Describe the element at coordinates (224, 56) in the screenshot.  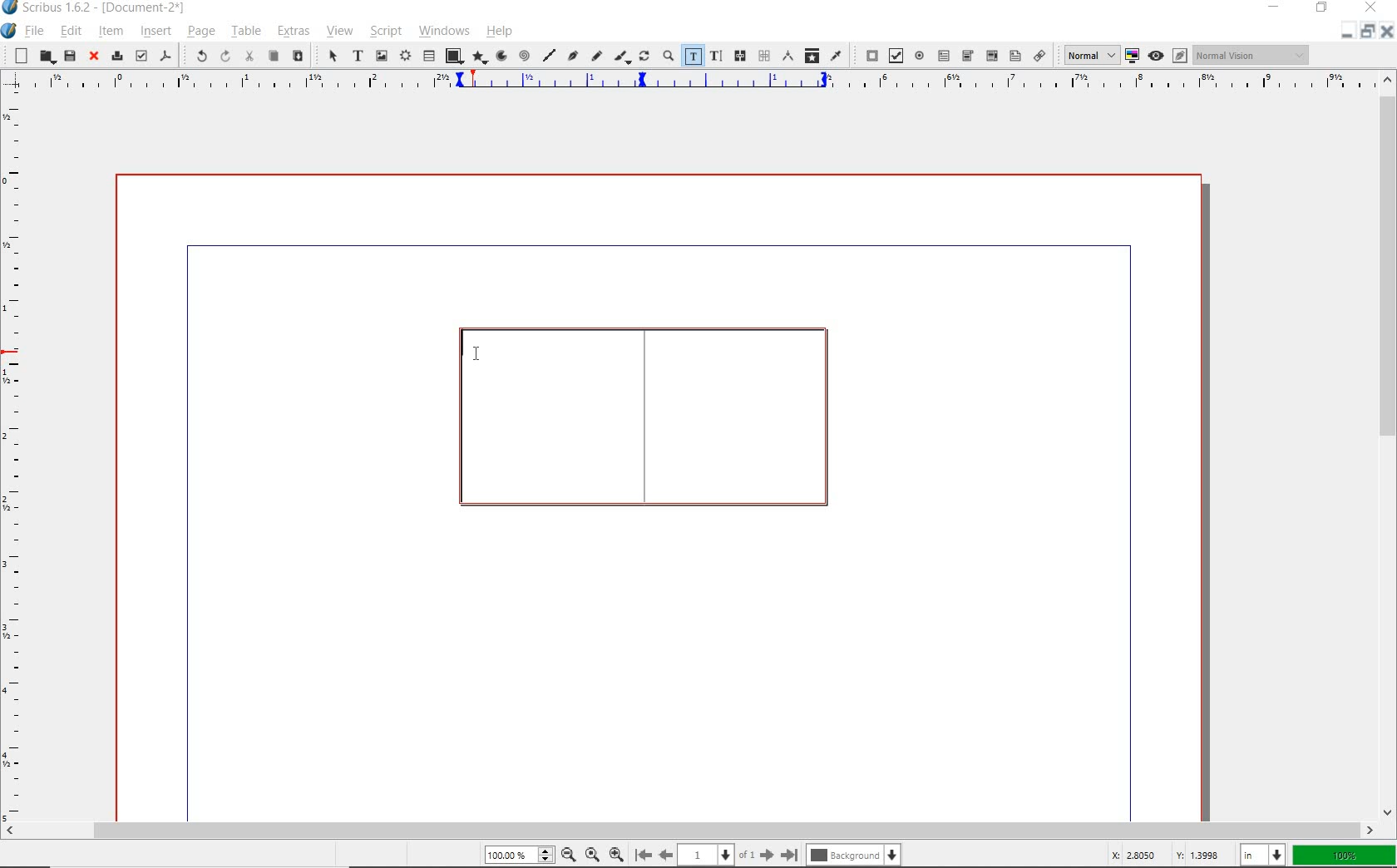
I see `redo` at that location.